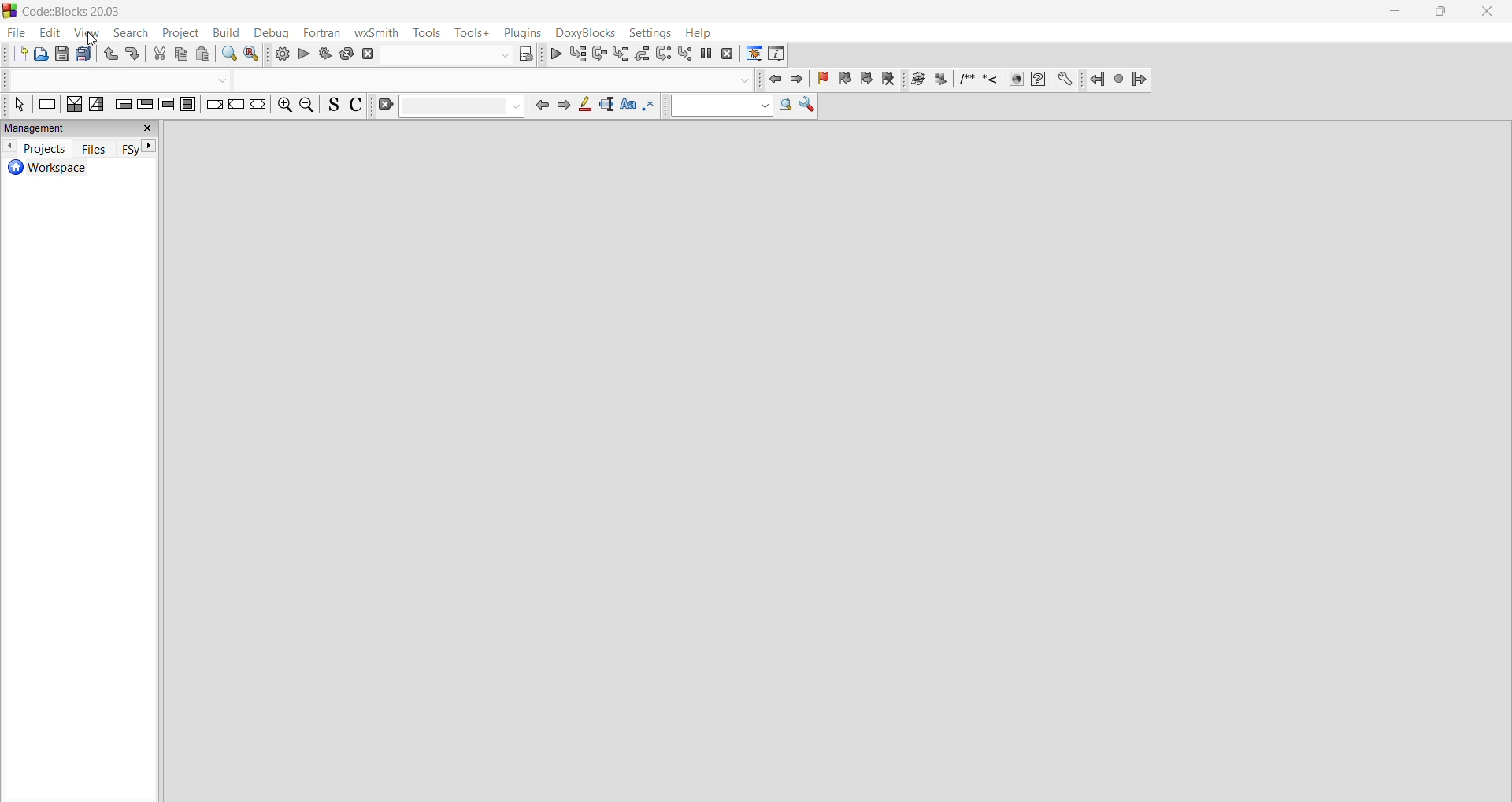 The image size is (1512, 802). Describe the element at coordinates (254, 56) in the screenshot. I see `replace` at that location.